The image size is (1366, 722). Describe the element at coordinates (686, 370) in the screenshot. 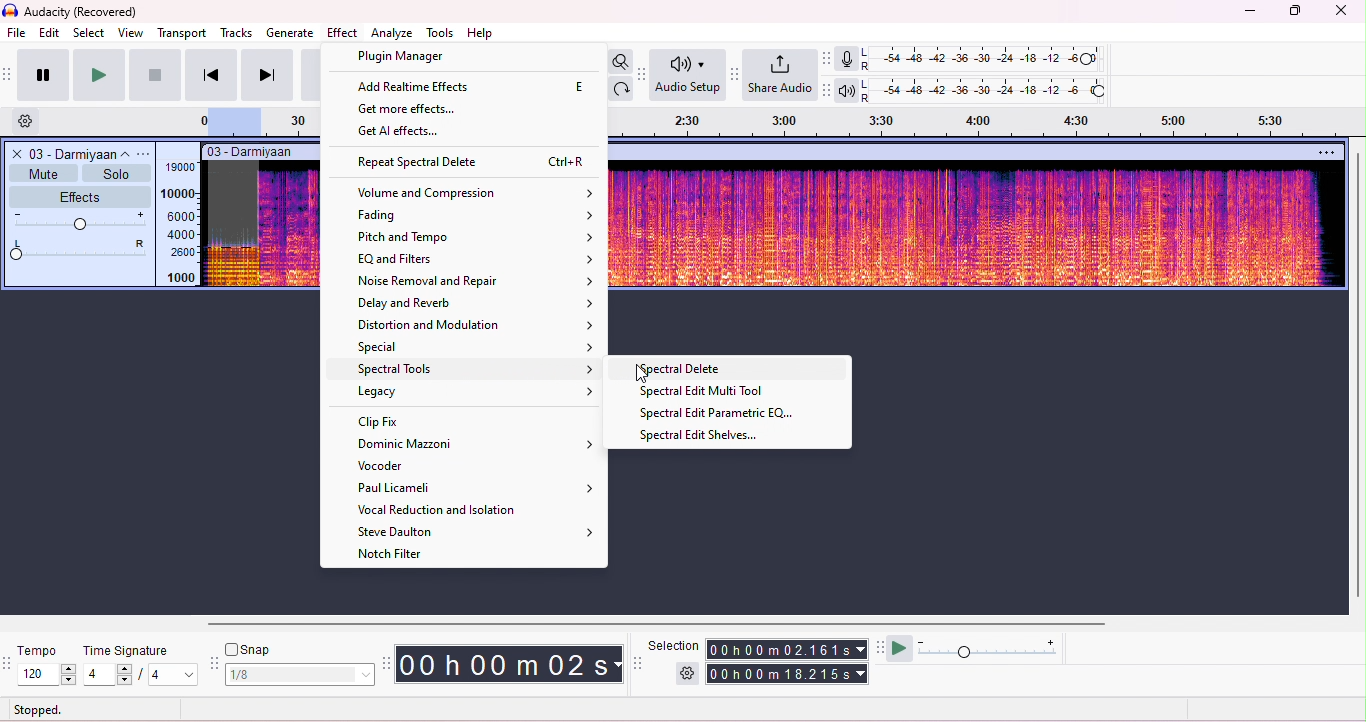

I see `spectral delete` at that location.